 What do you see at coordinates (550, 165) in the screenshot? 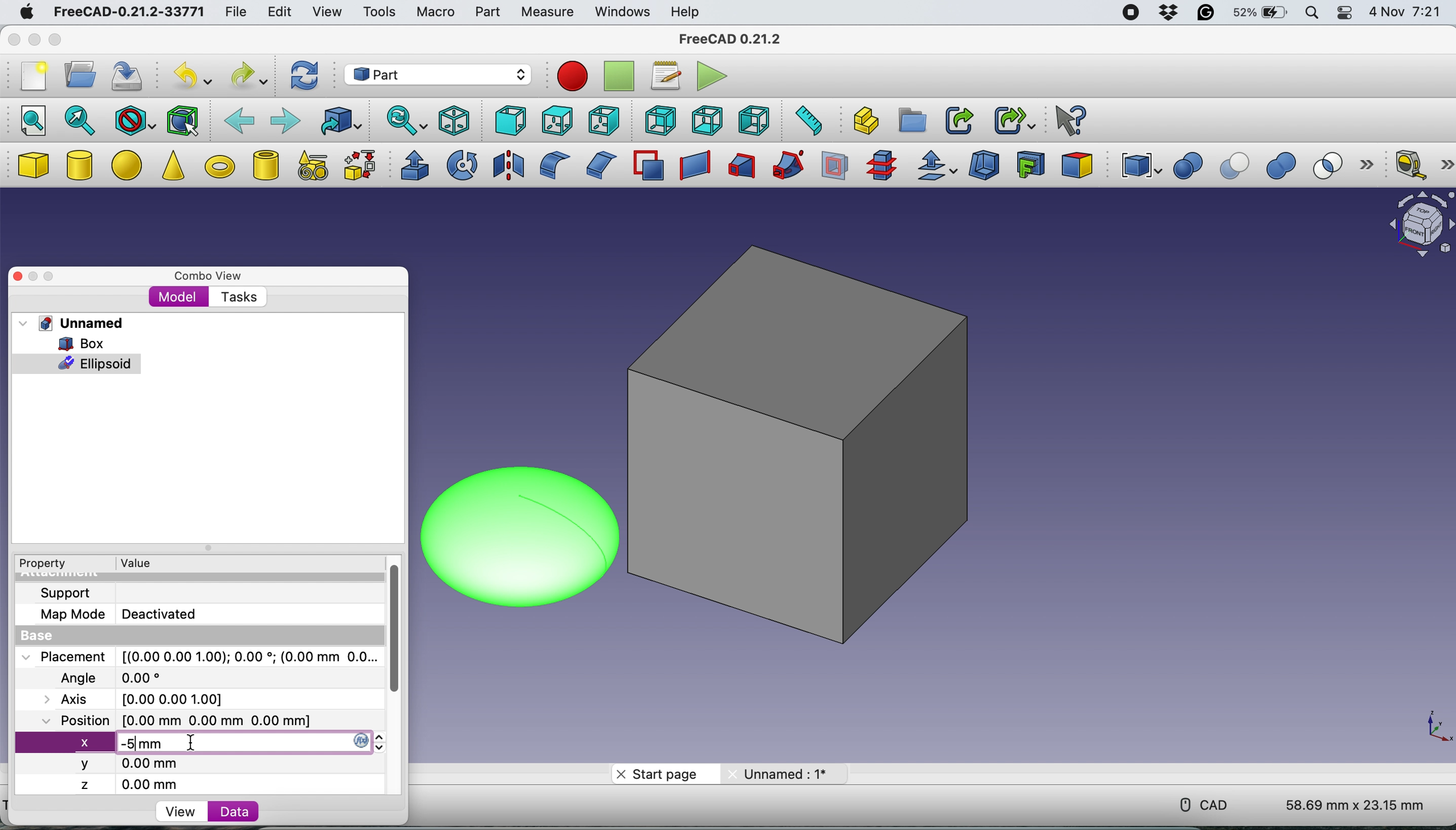
I see `fillet` at bounding box center [550, 165].